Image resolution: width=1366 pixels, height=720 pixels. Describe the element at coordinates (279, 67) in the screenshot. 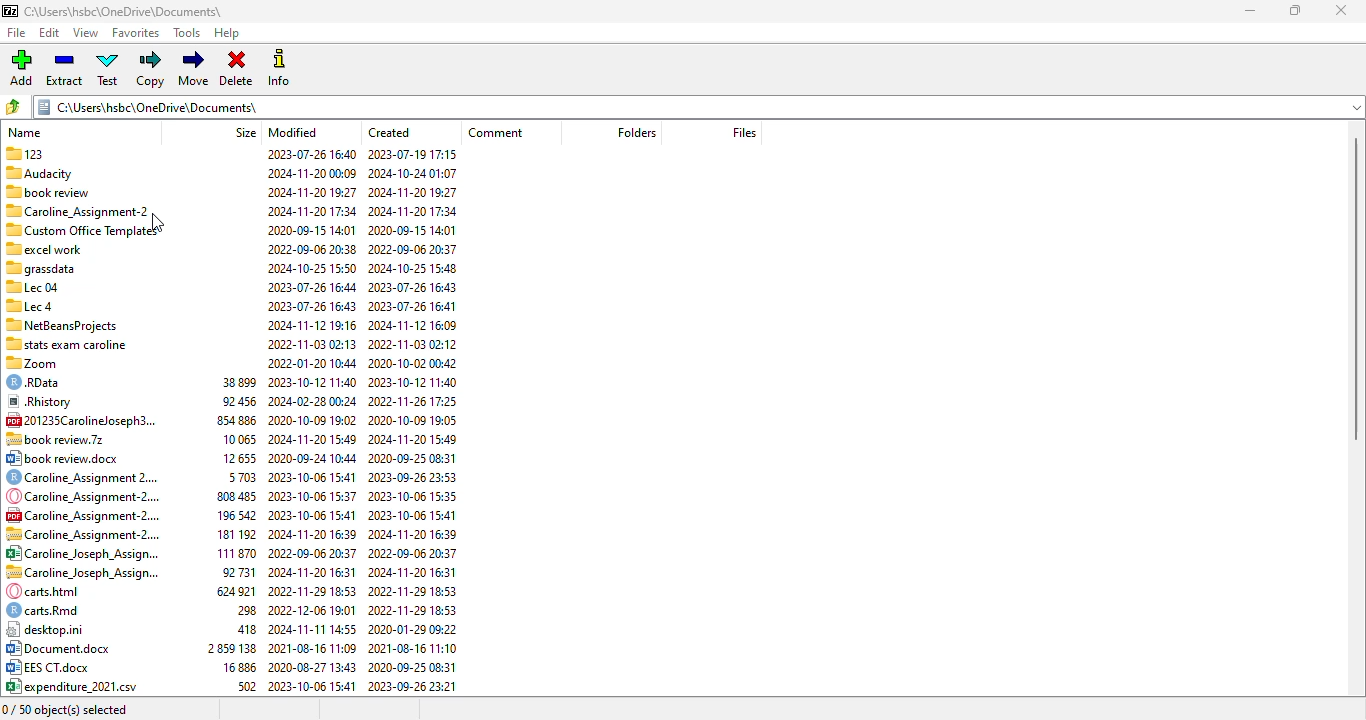

I see `info` at that location.